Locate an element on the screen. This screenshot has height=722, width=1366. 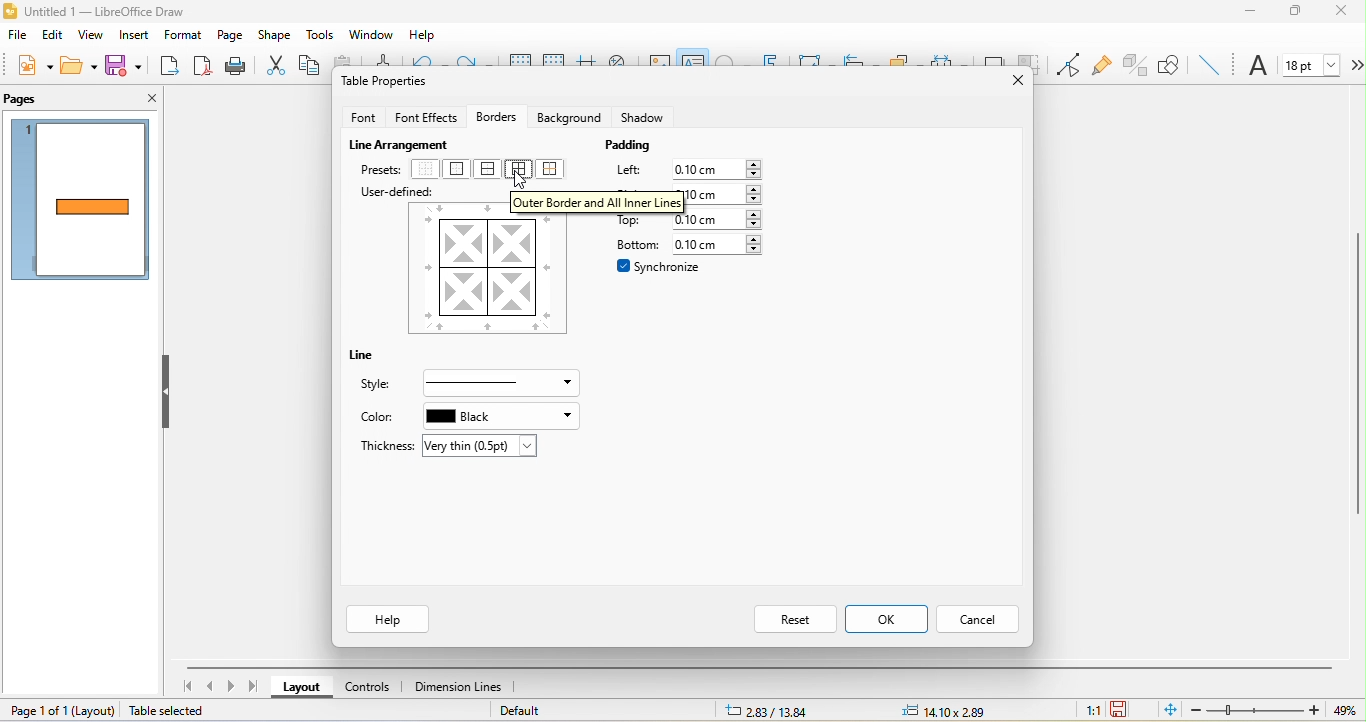
live arrangement is located at coordinates (403, 142).